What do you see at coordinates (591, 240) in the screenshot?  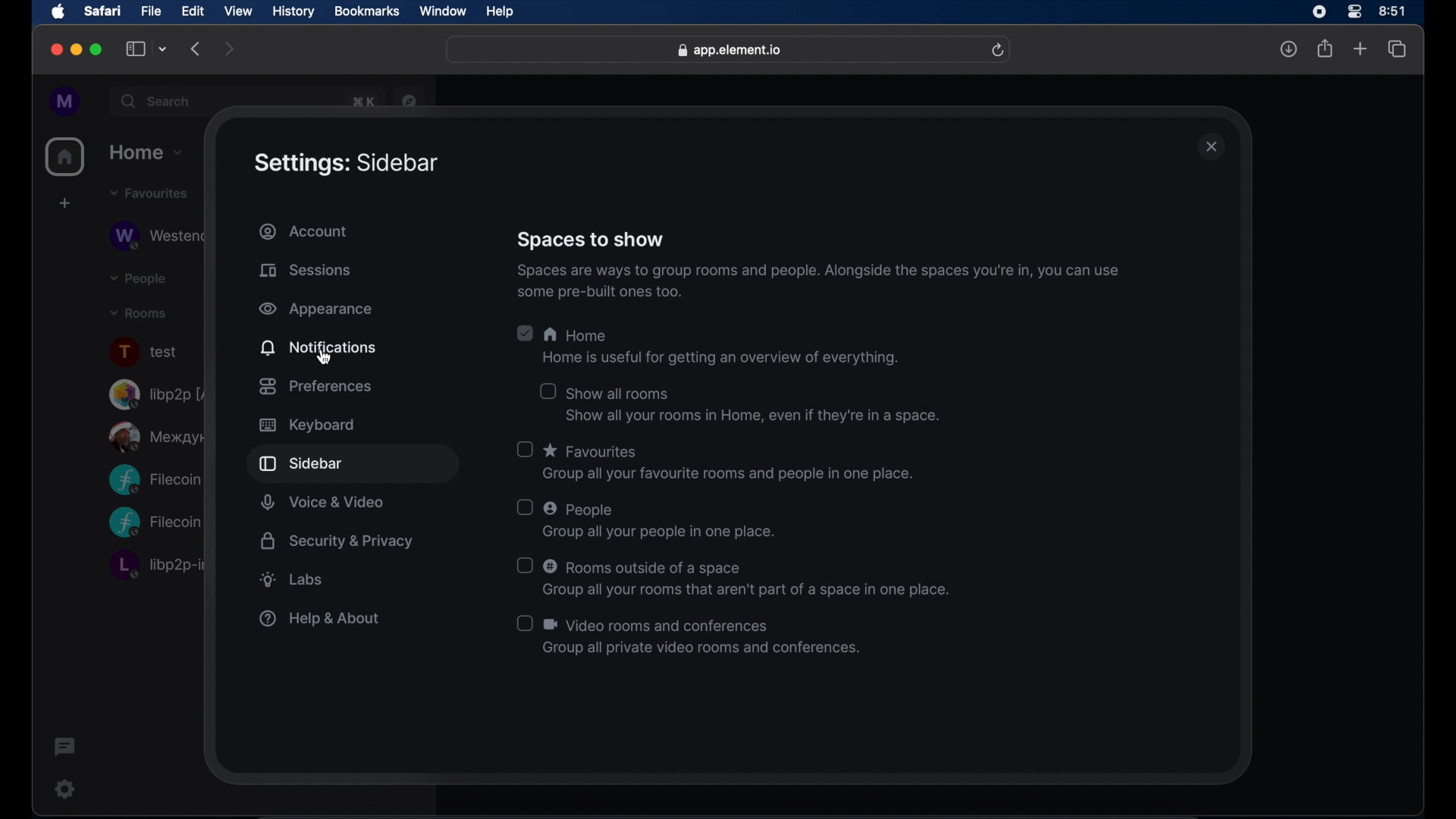 I see `spaces to show` at bounding box center [591, 240].